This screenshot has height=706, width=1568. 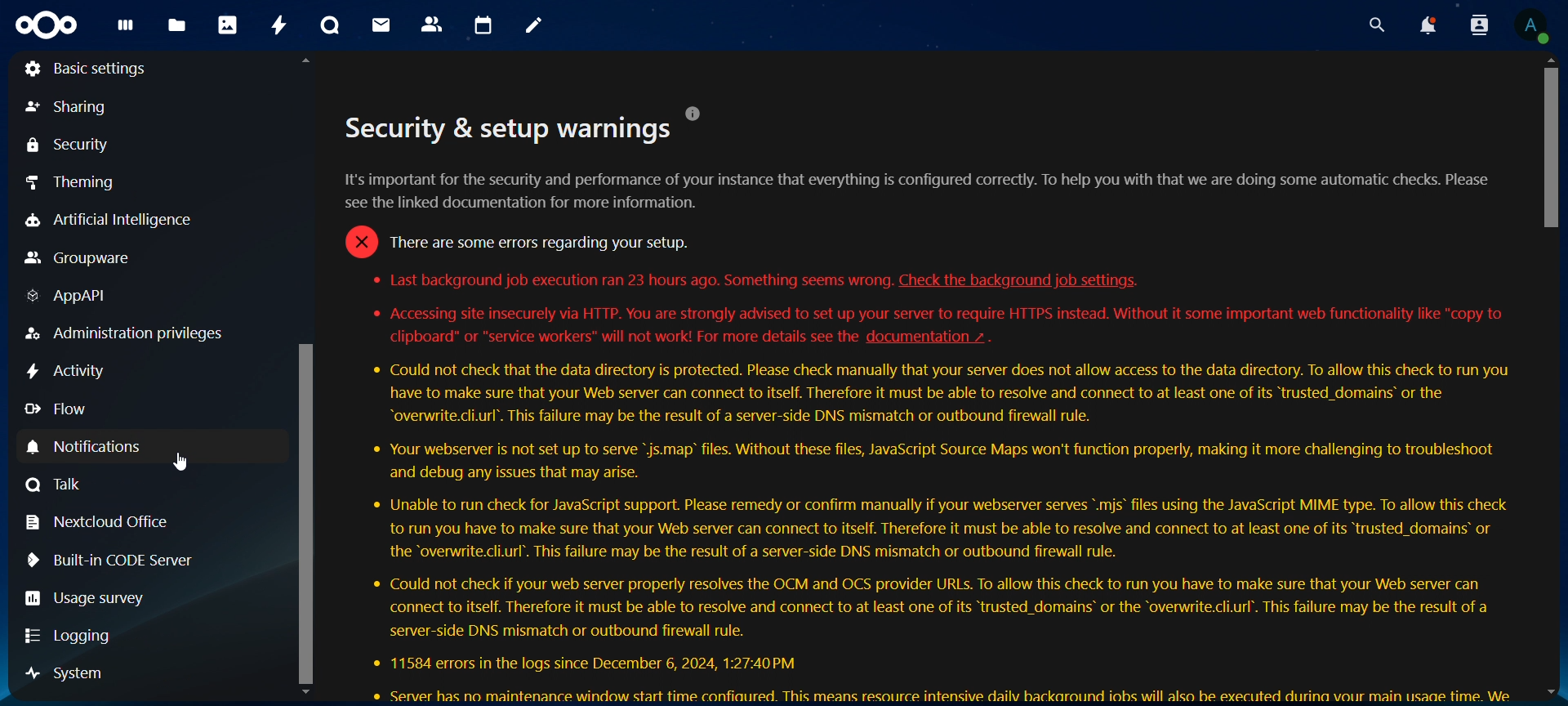 What do you see at coordinates (78, 257) in the screenshot?
I see `groupware` at bounding box center [78, 257].